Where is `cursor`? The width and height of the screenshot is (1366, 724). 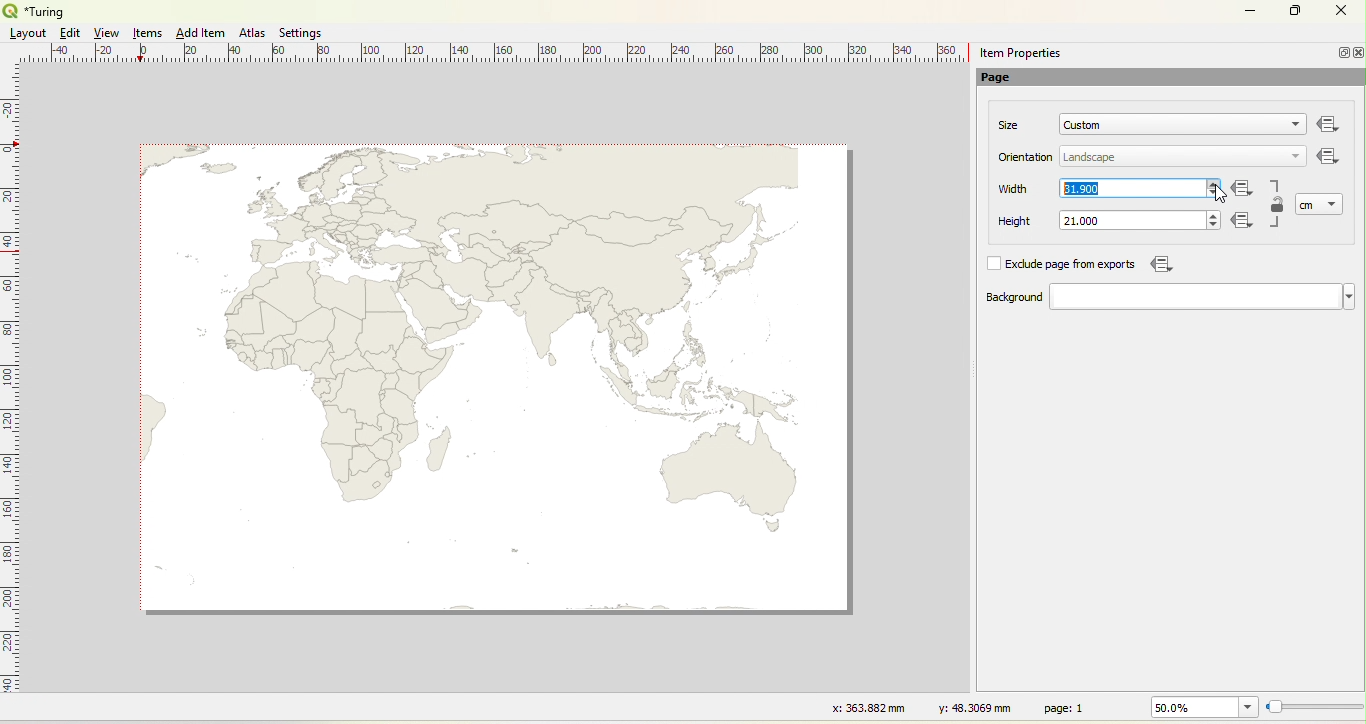 cursor is located at coordinates (1217, 195).